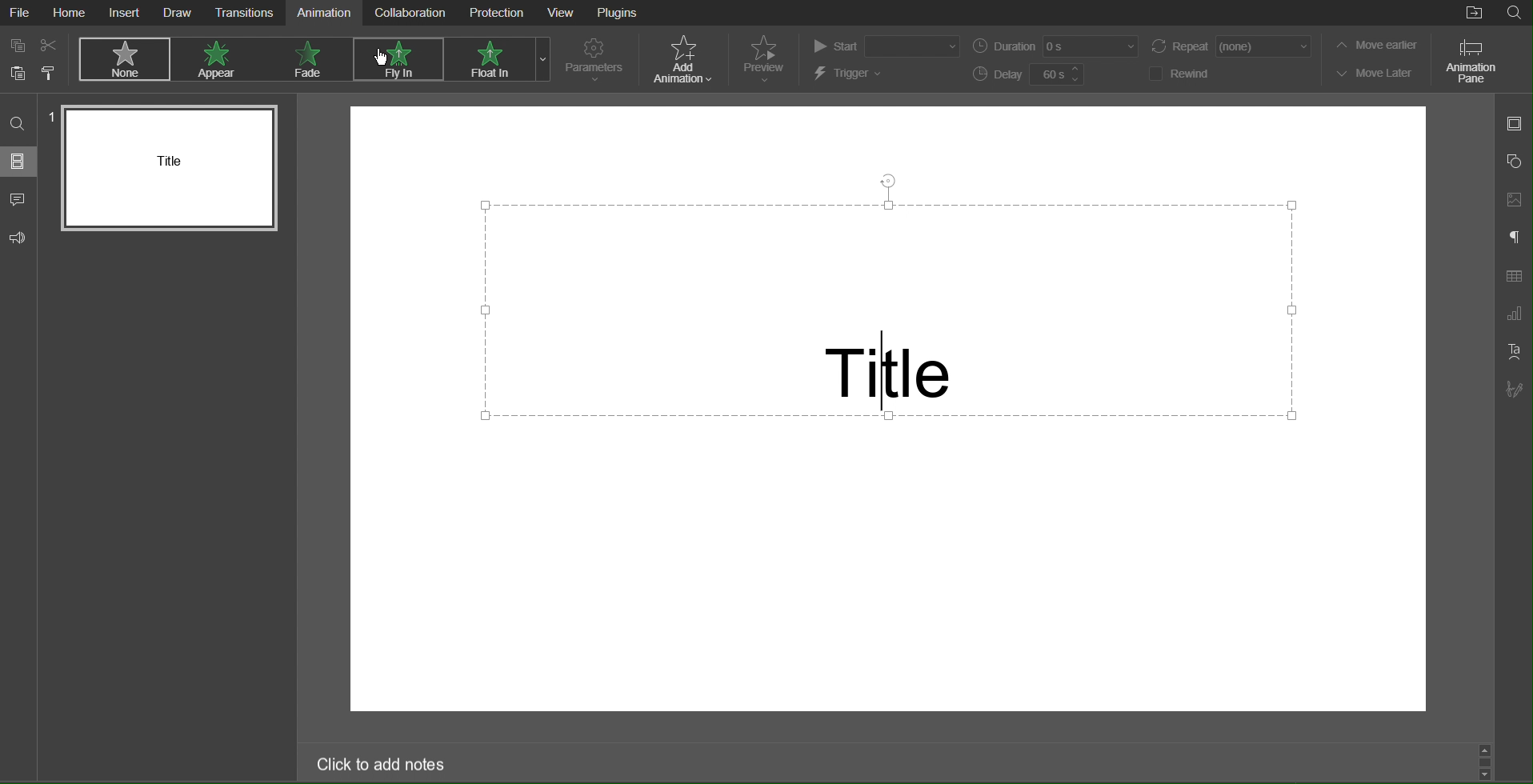 The image size is (1533, 784). What do you see at coordinates (243, 13) in the screenshot?
I see `Transitions` at bounding box center [243, 13].